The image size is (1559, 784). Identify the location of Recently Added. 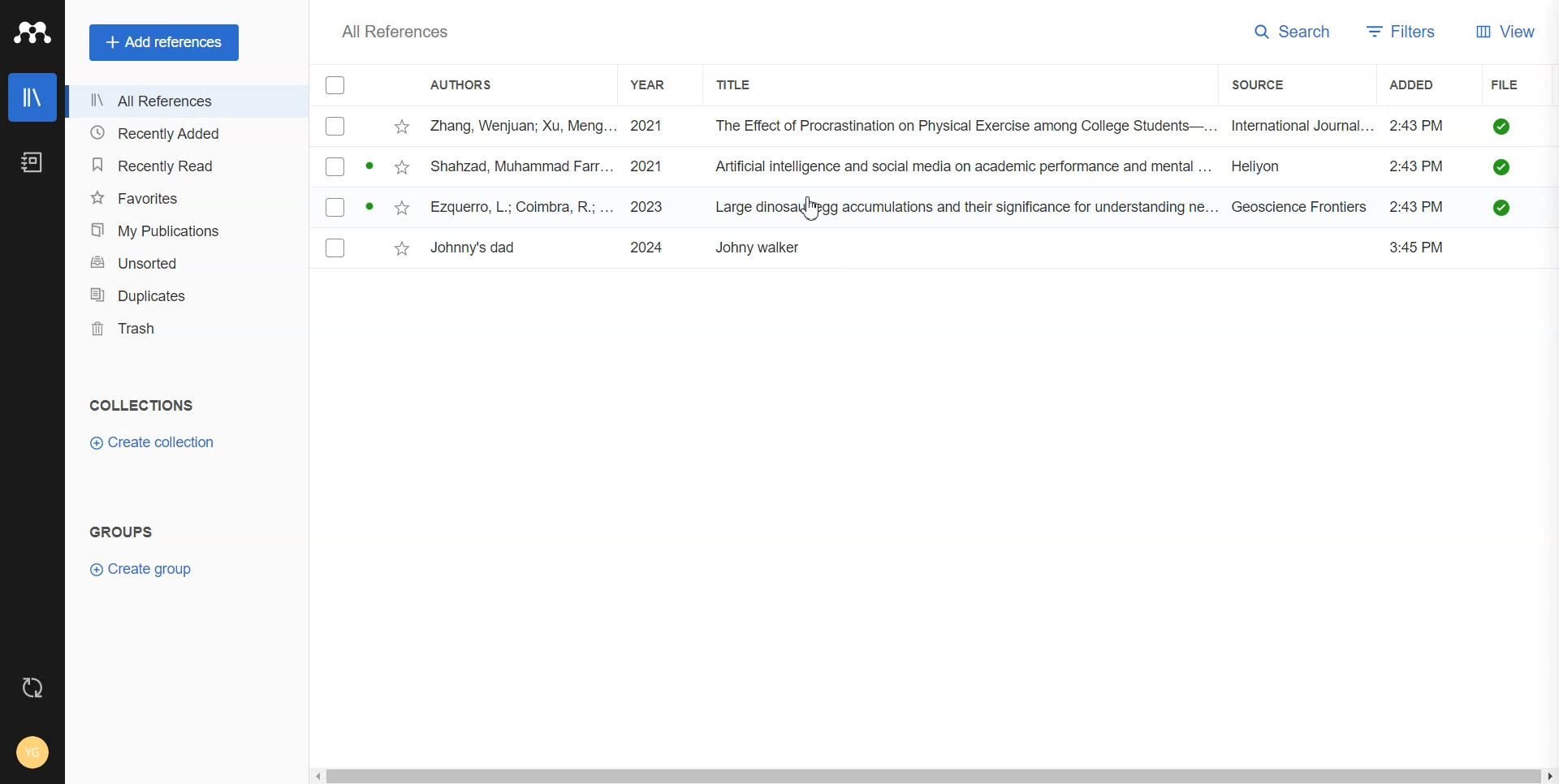
(179, 132).